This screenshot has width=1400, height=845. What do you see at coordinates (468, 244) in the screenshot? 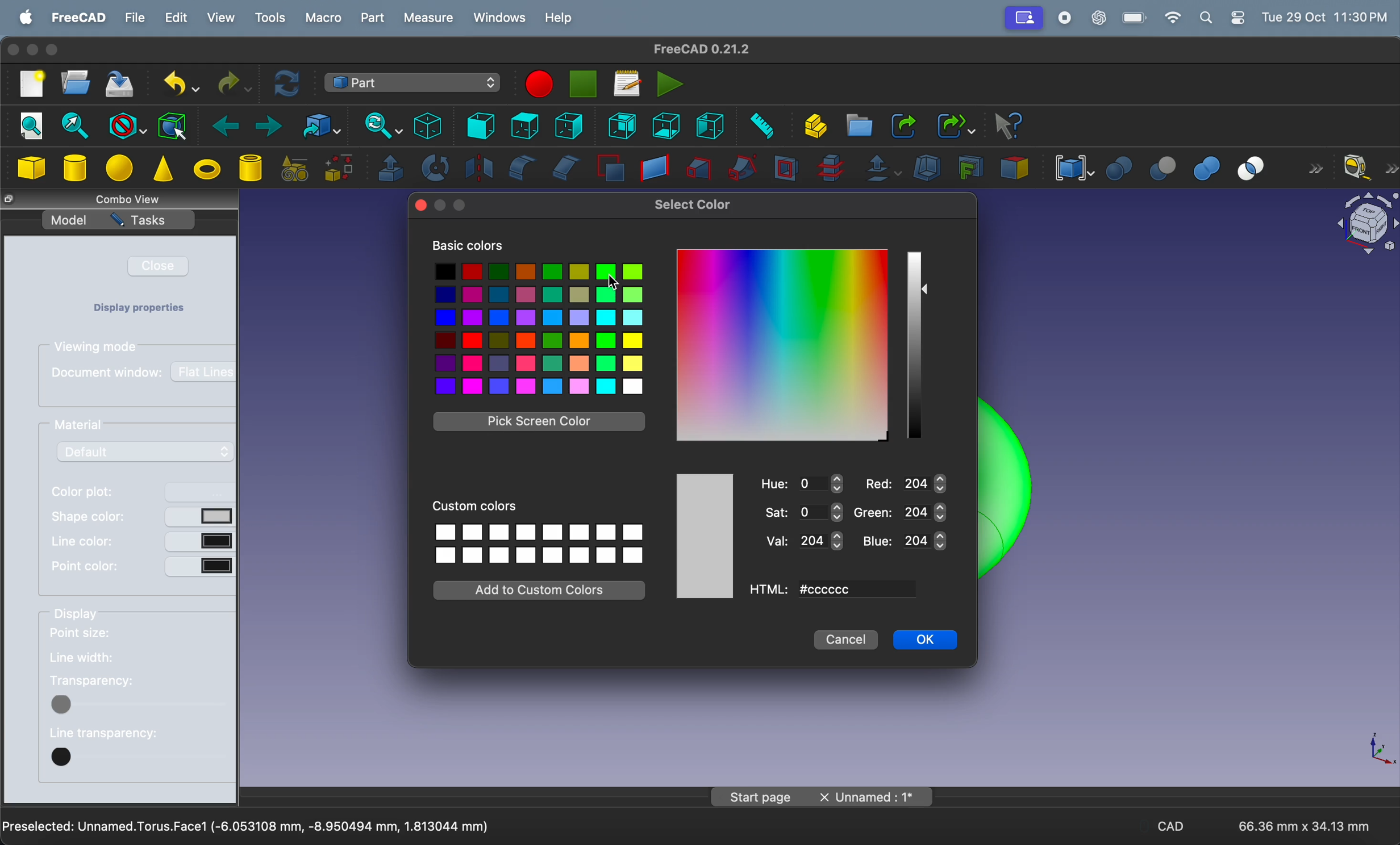
I see `Basic colors` at bounding box center [468, 244].